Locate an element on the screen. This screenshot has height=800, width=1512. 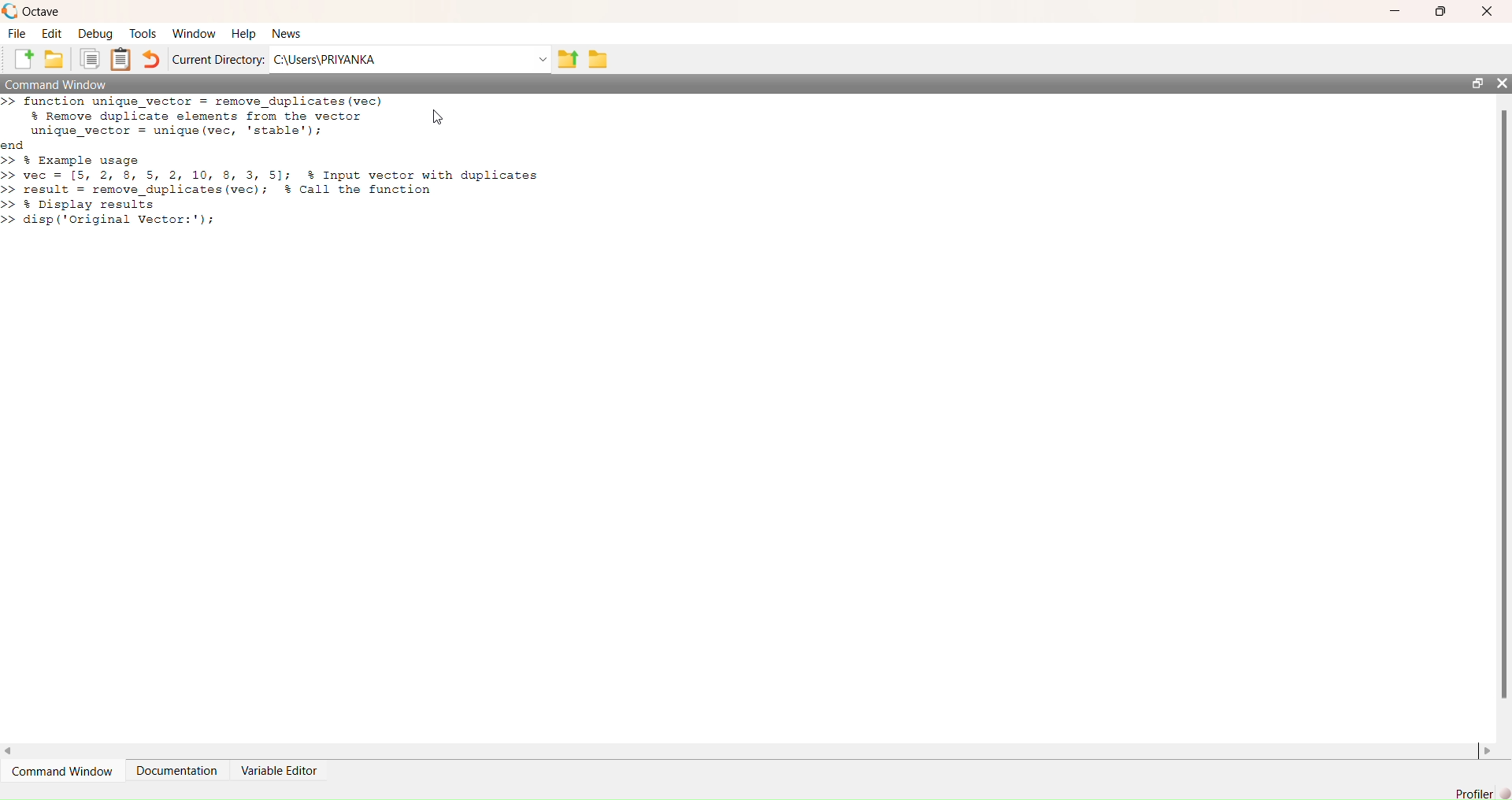
command window is located at coordinates (57, 84).